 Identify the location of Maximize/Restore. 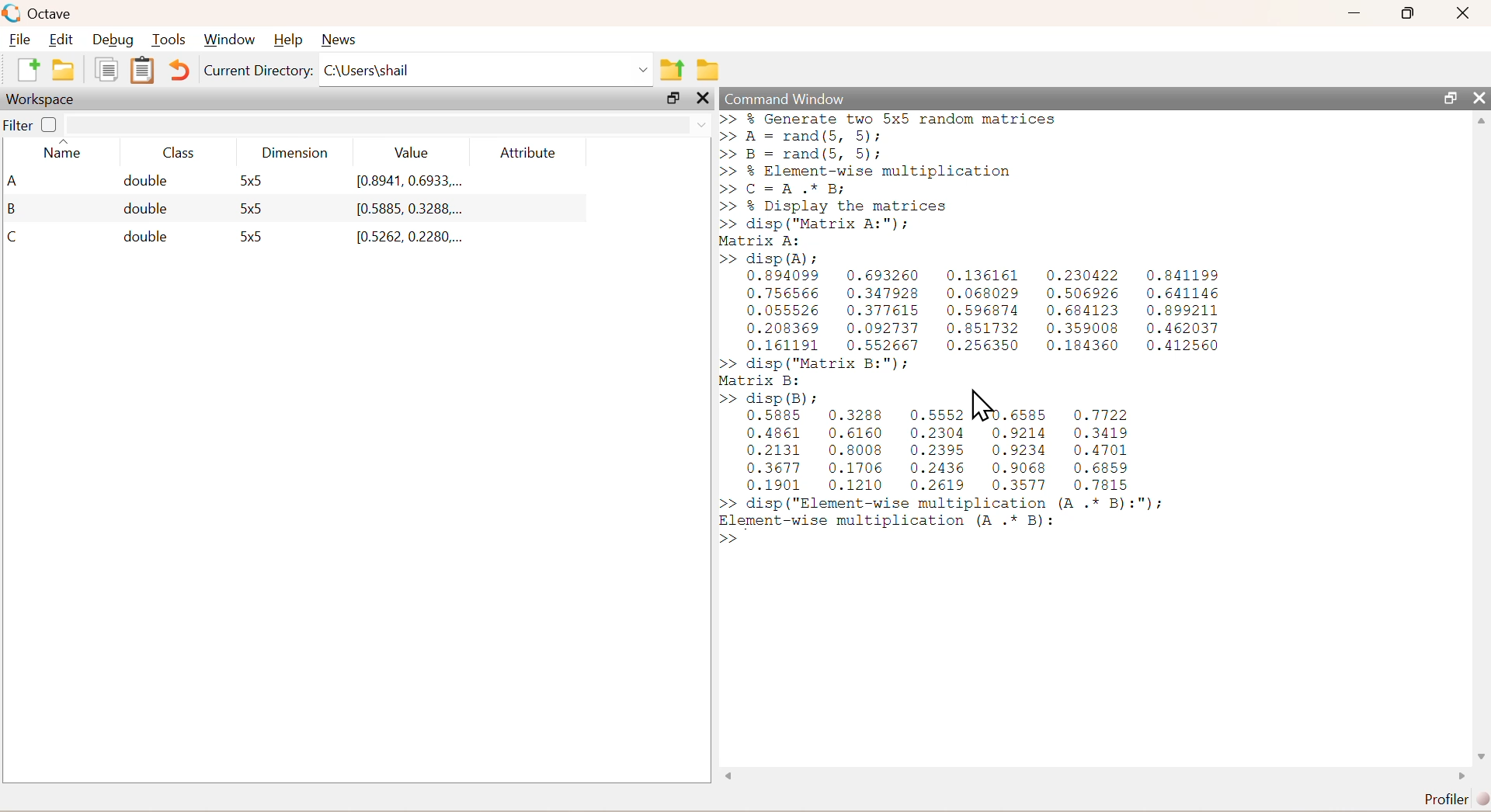
(1448, 96).